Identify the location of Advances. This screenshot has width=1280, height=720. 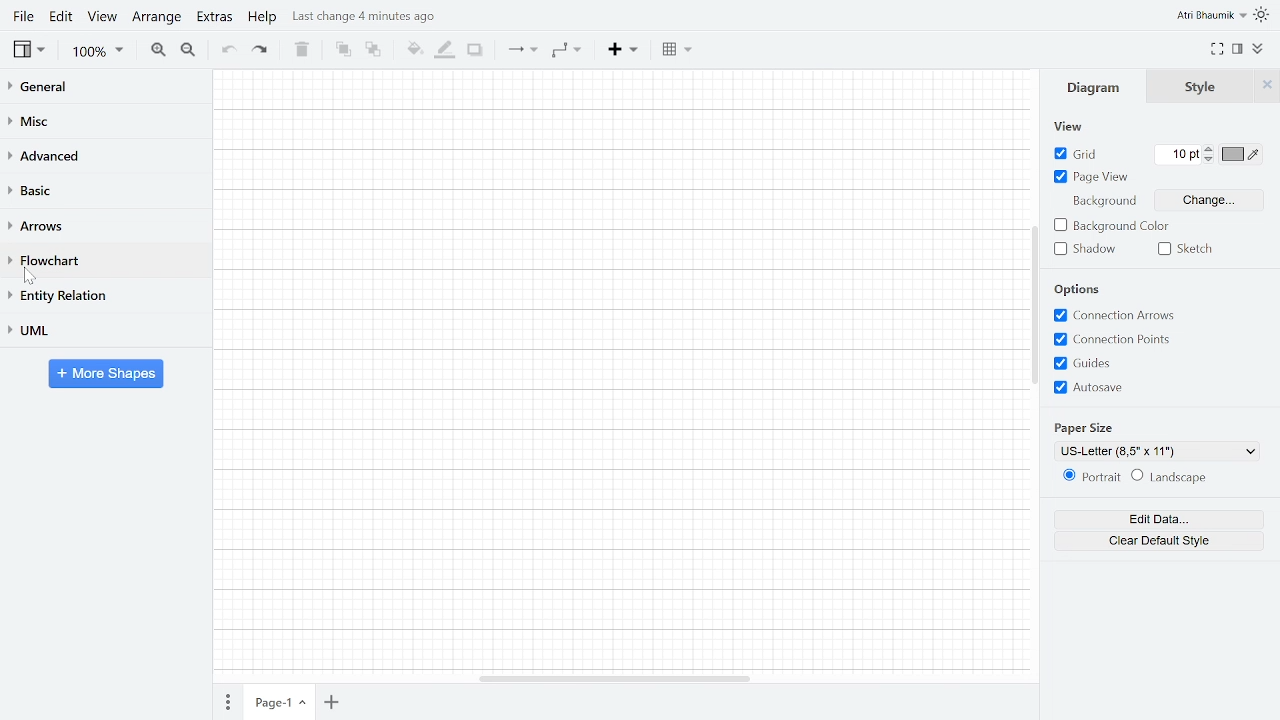
(101, 156).